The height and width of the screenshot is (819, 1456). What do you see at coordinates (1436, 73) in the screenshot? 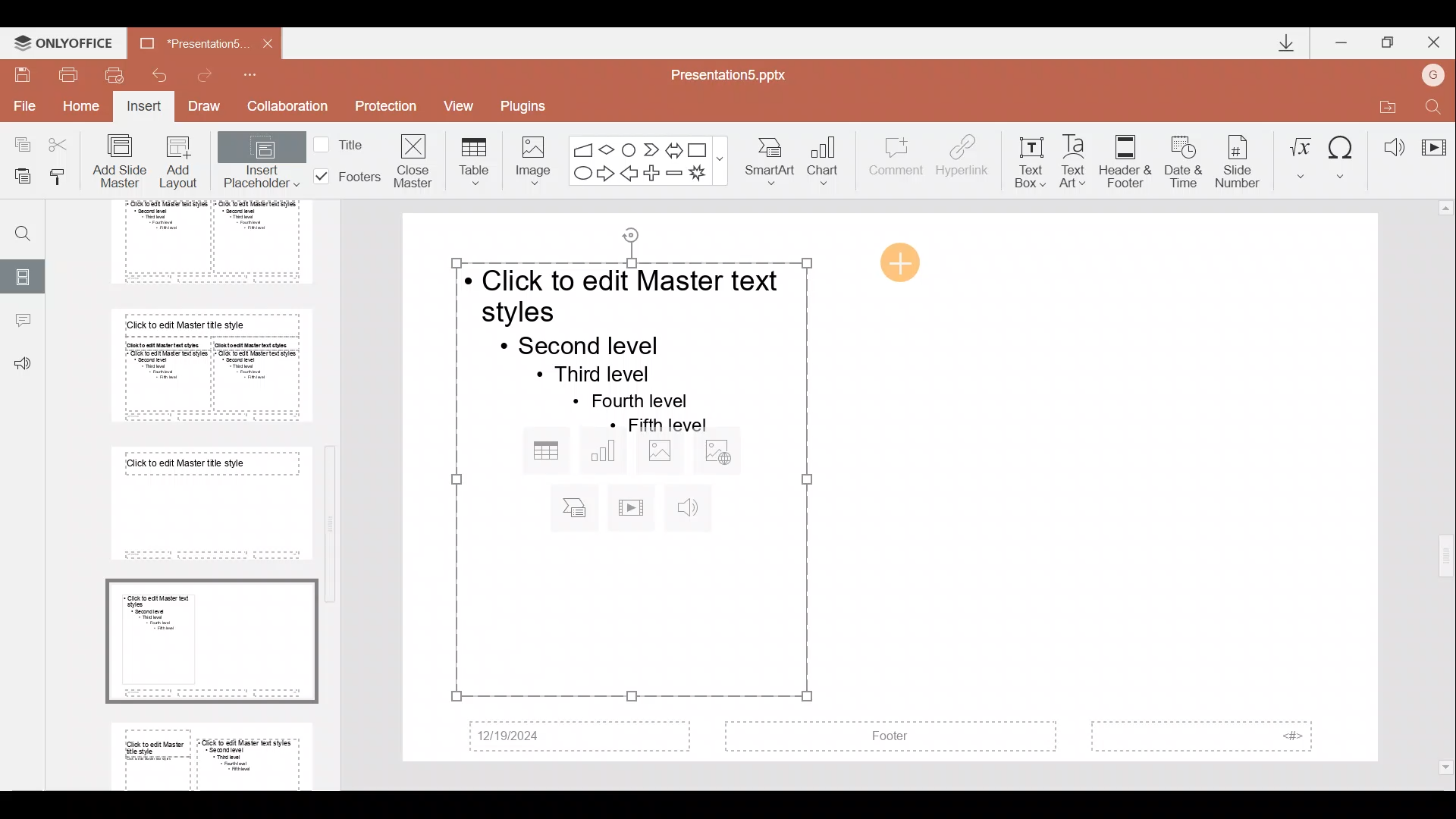
I see `Account name` at bounding box center [1436, 73].